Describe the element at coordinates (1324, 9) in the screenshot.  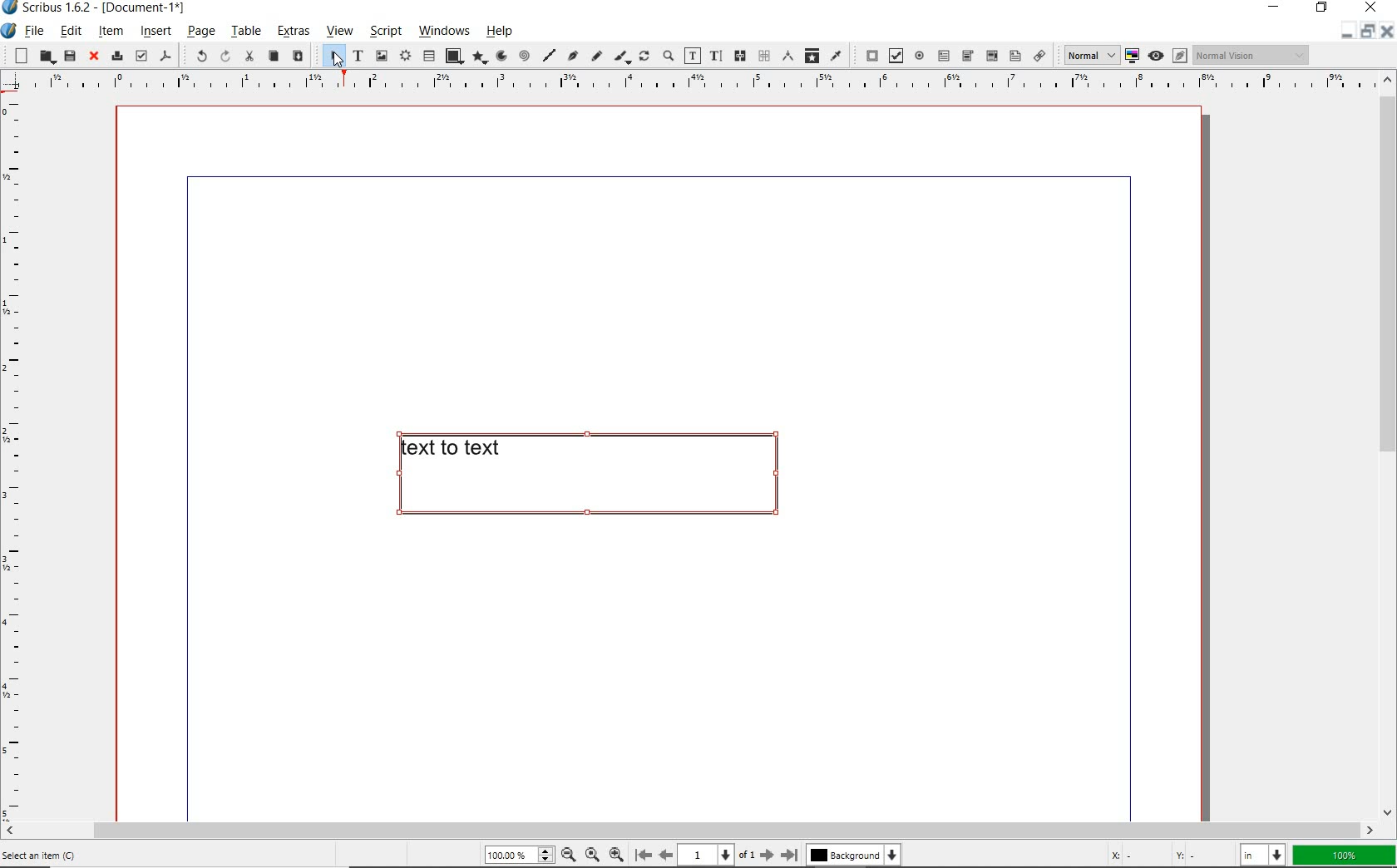
I see `restore` at that location.